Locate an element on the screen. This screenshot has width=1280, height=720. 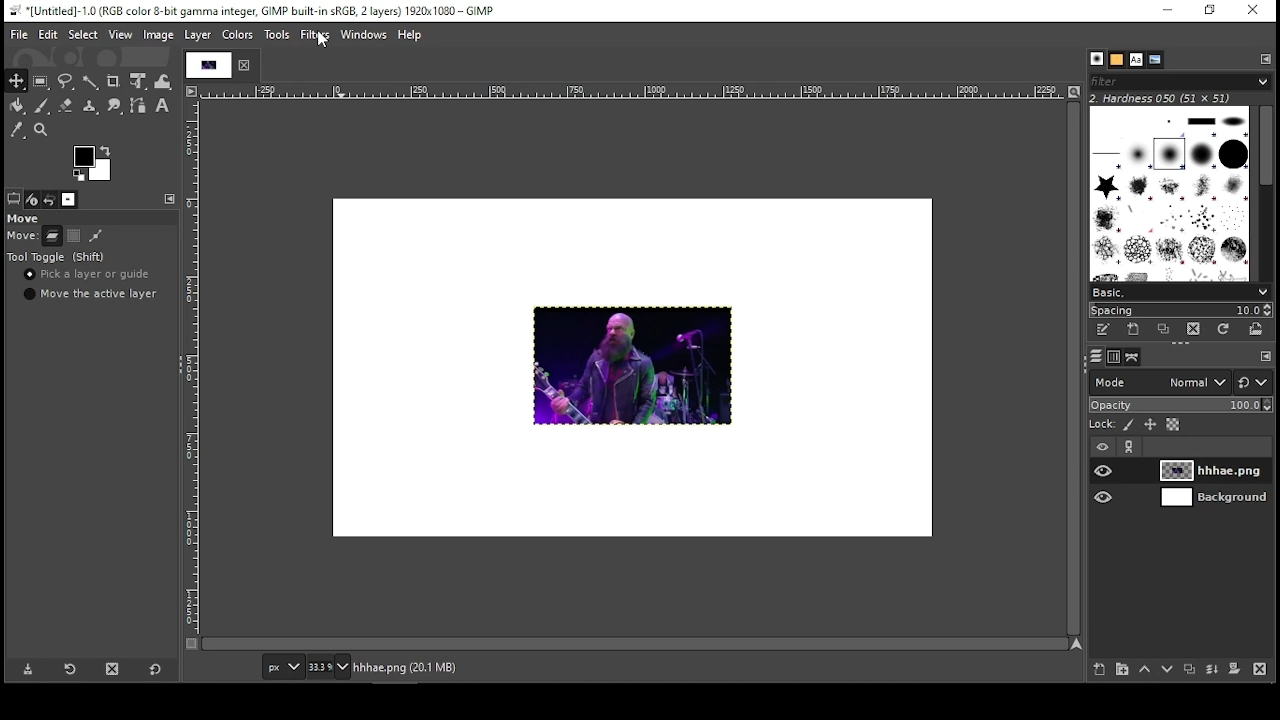
layer  is located at coordinates (1215, 470).